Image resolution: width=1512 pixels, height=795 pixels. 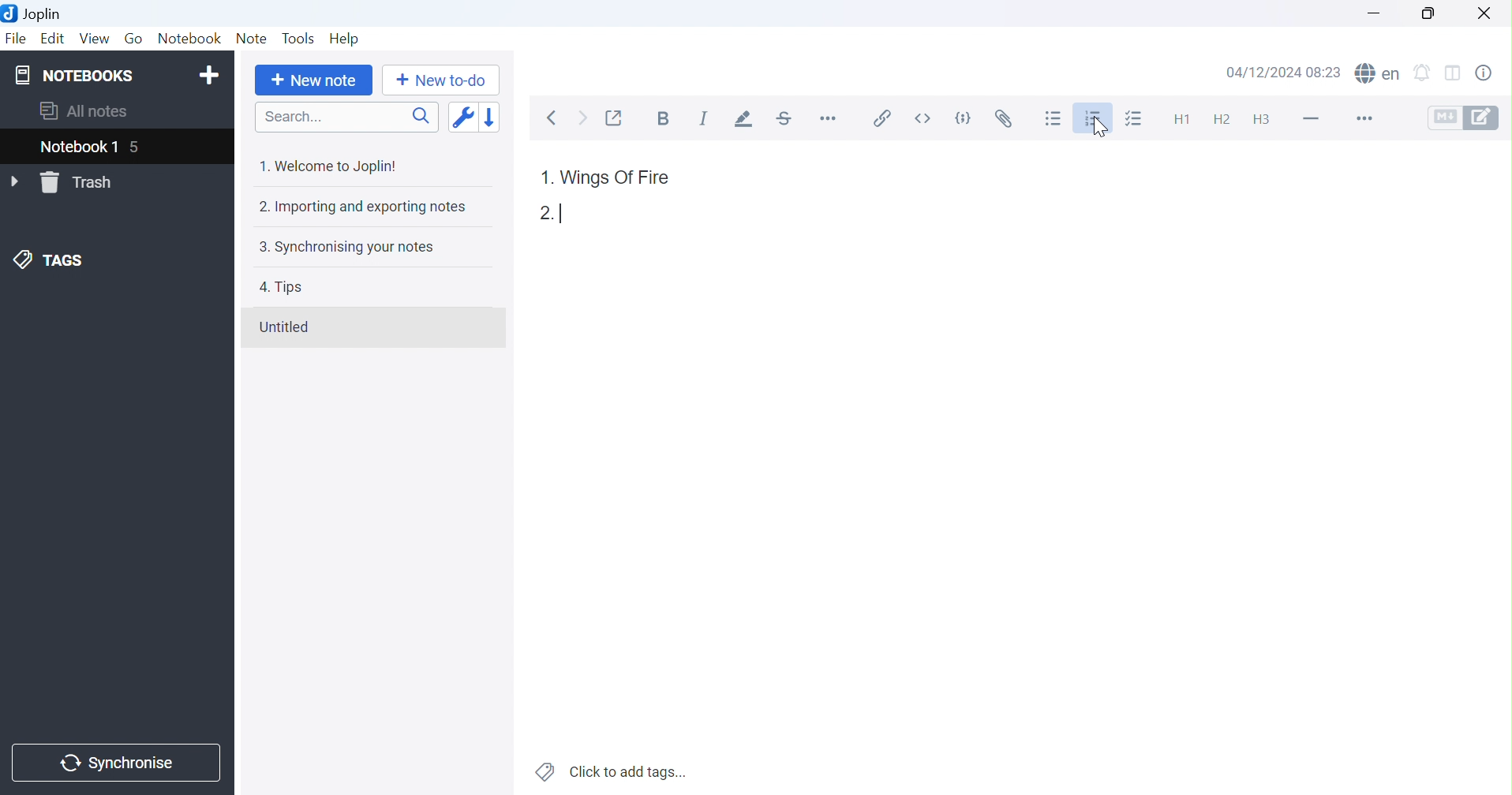 I want to click on Close, so click(x=1486, y=11).